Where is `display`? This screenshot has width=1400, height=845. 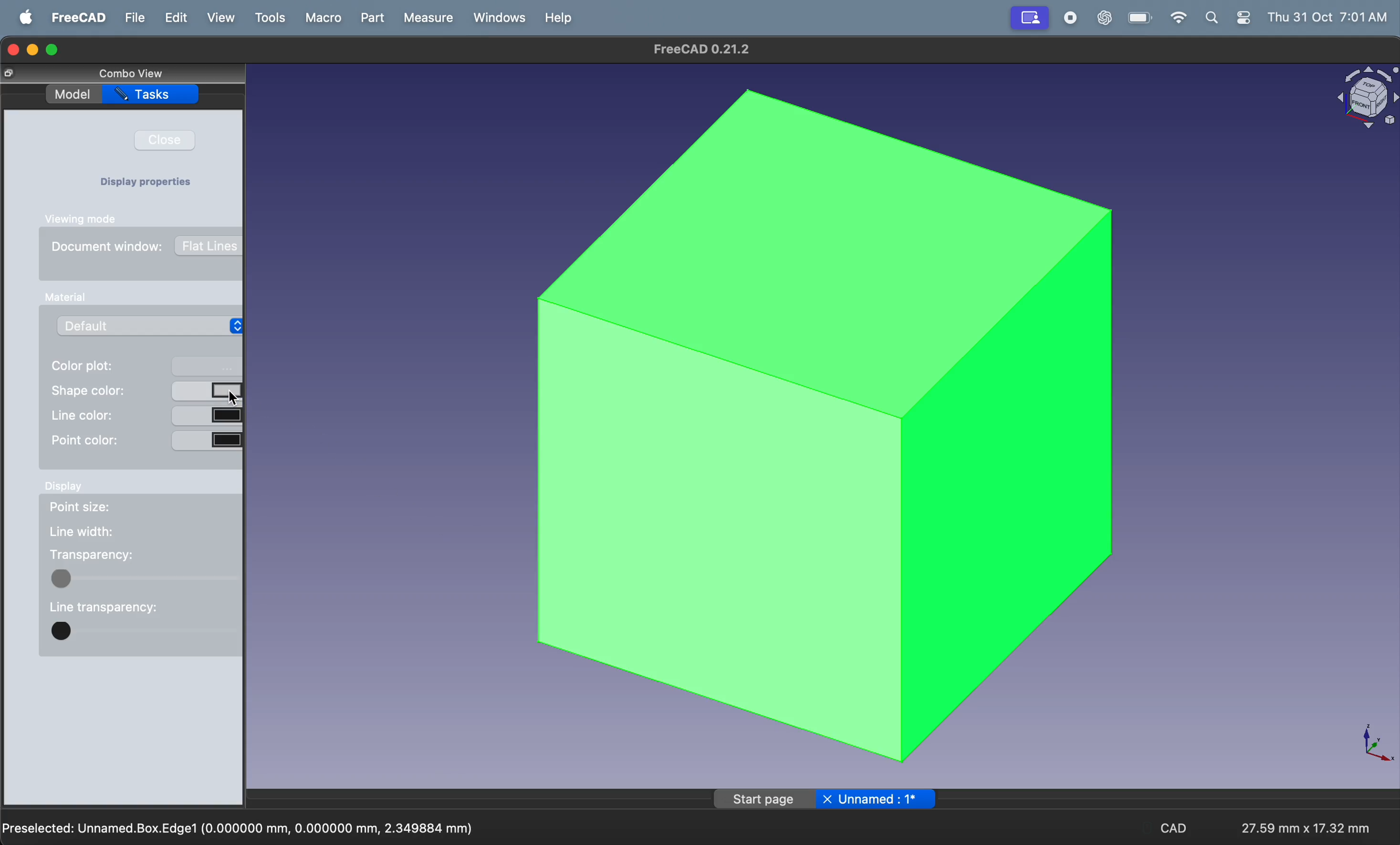 display is located at coordinates (66, 490).